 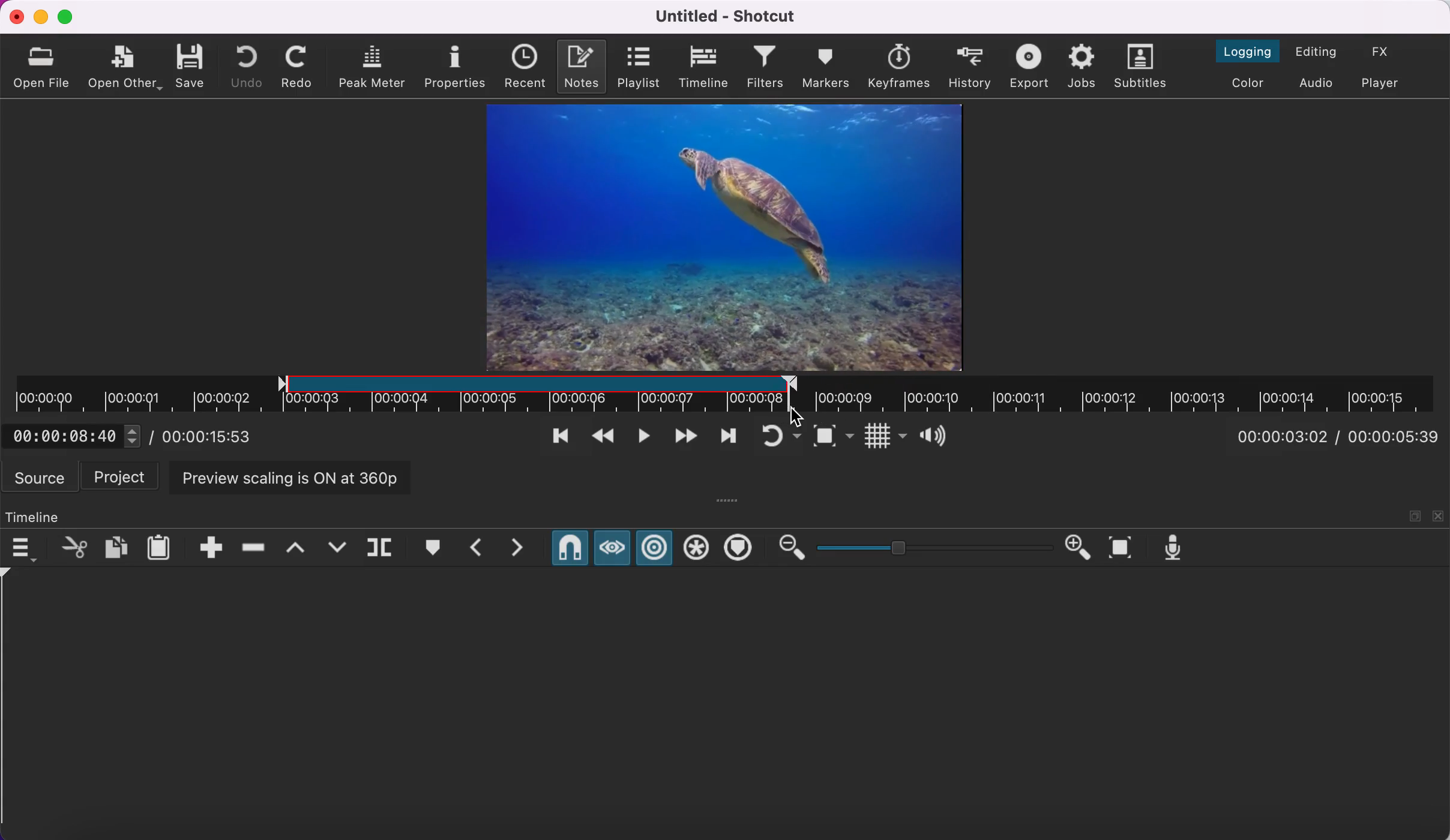 What do you see at coordinates (728, 436) in the screenshot?
I see `skip to next point` at bounding box center [728, 436].